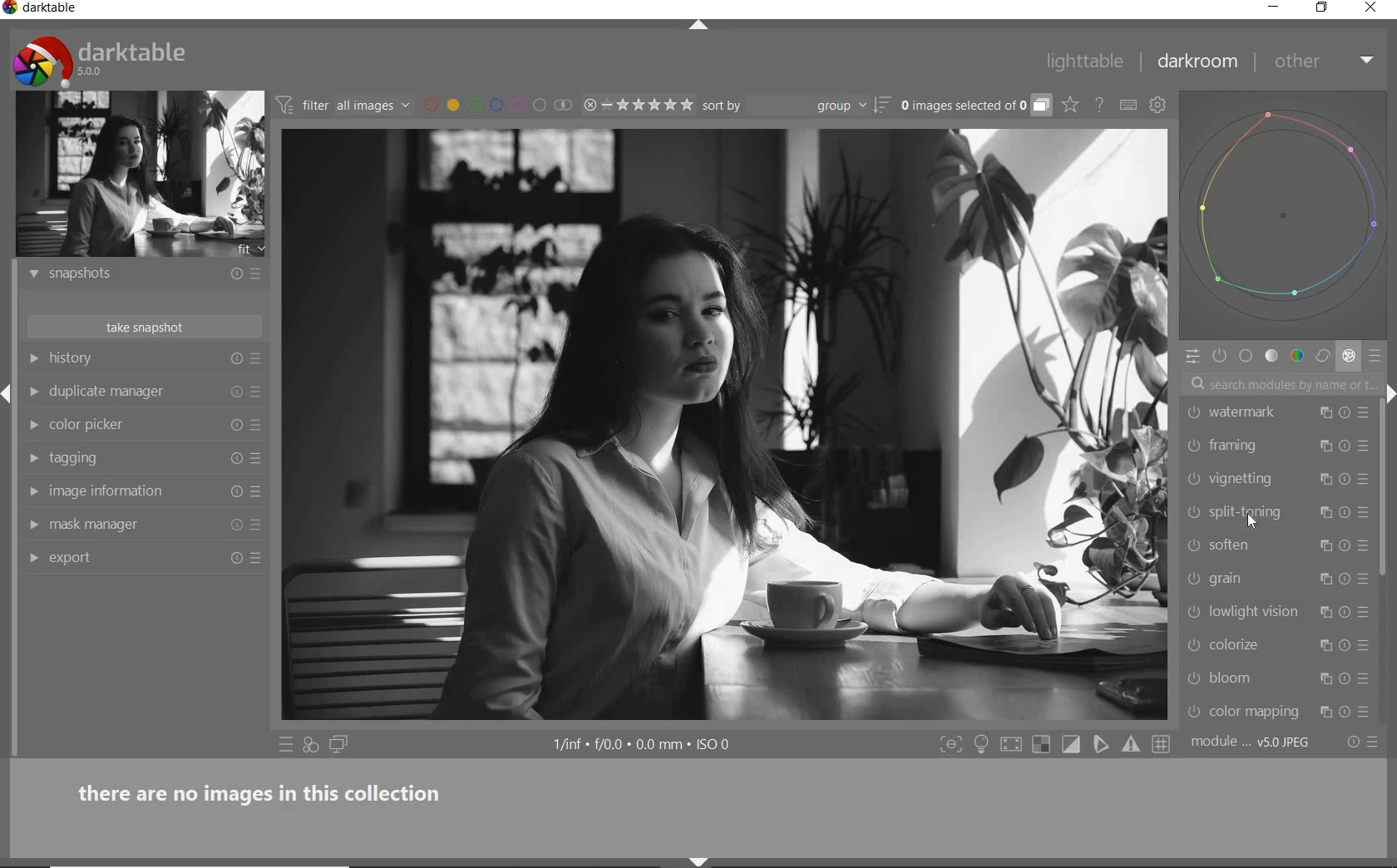  I want to click on preset and preferences, so click(259, 558).